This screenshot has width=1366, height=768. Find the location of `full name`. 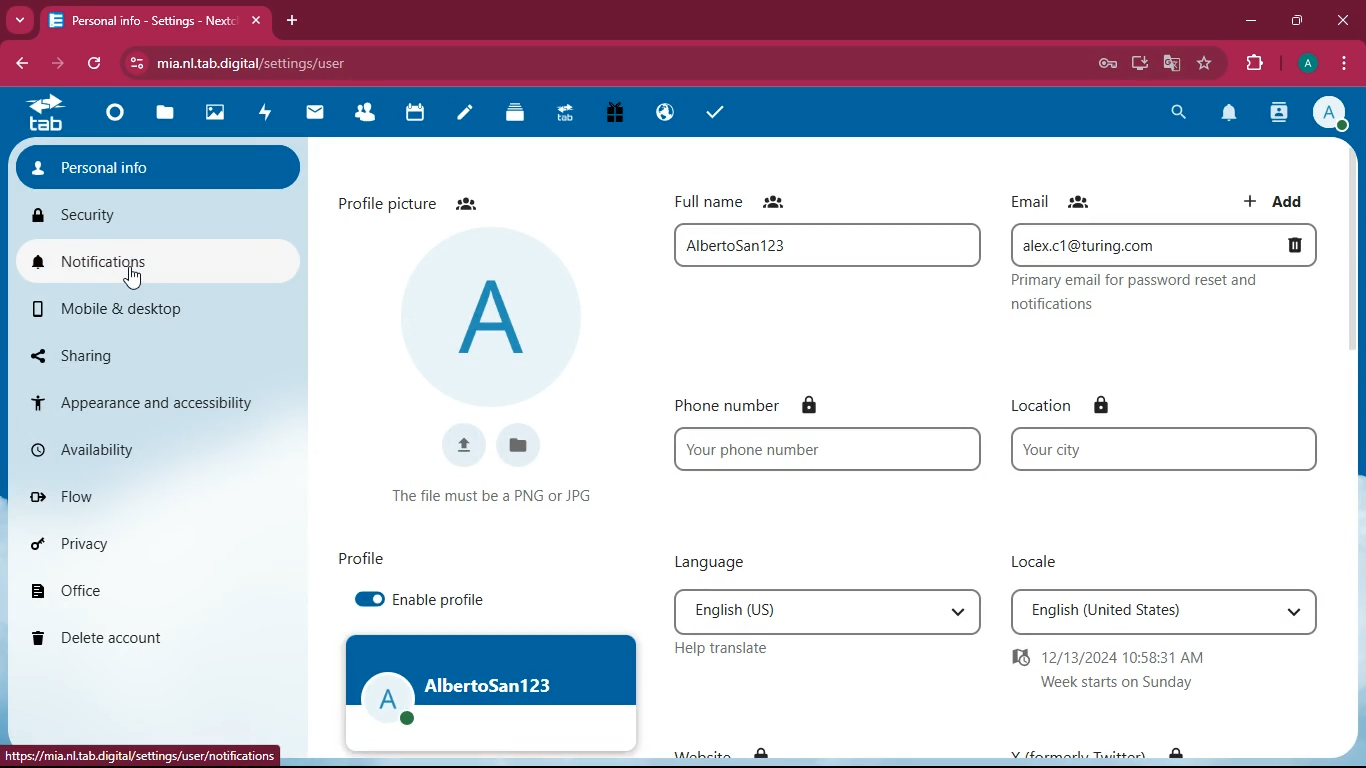

full name is located at coordinates (711, 200).